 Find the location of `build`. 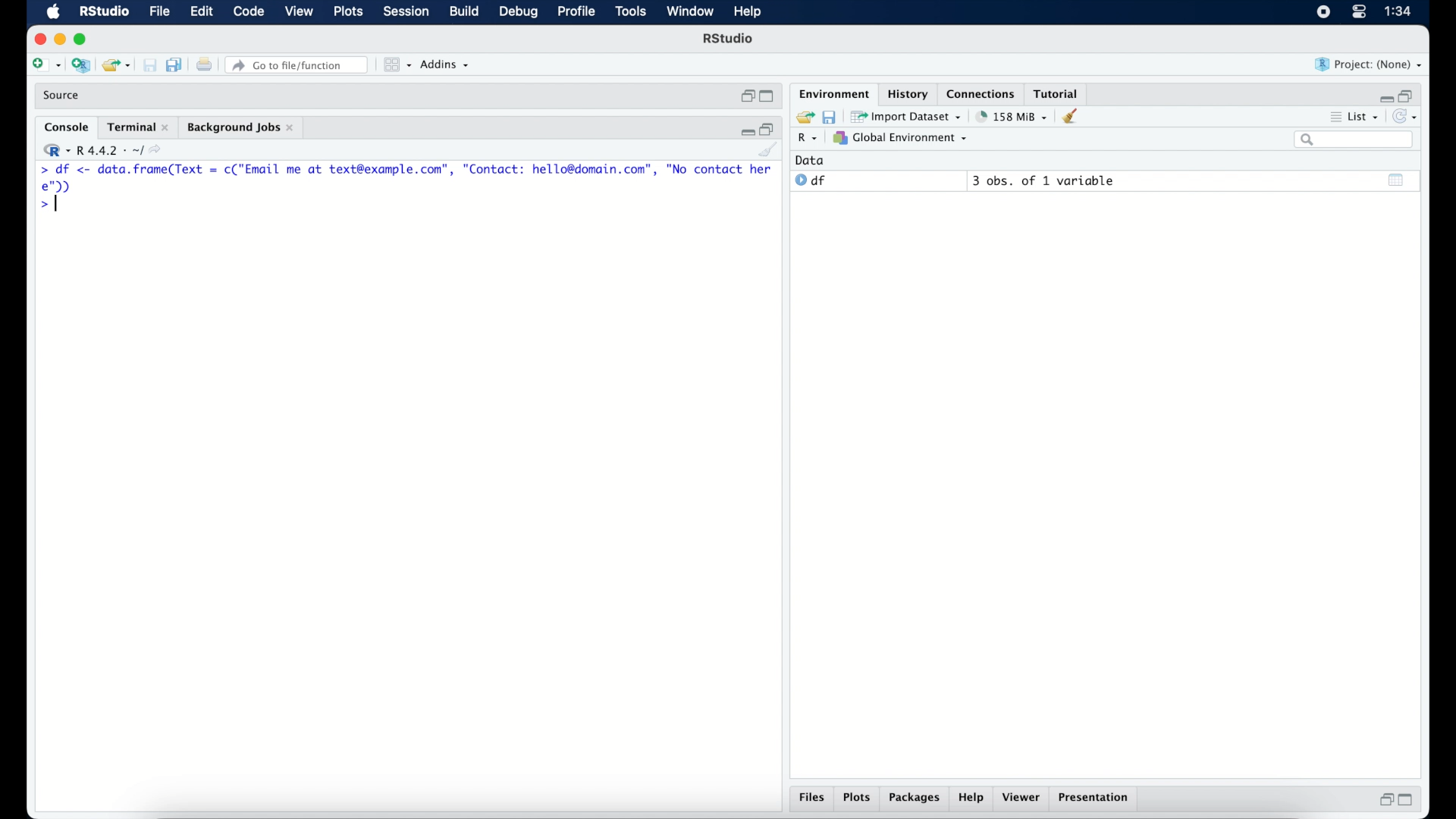

build is located at coordinates (465, 12).